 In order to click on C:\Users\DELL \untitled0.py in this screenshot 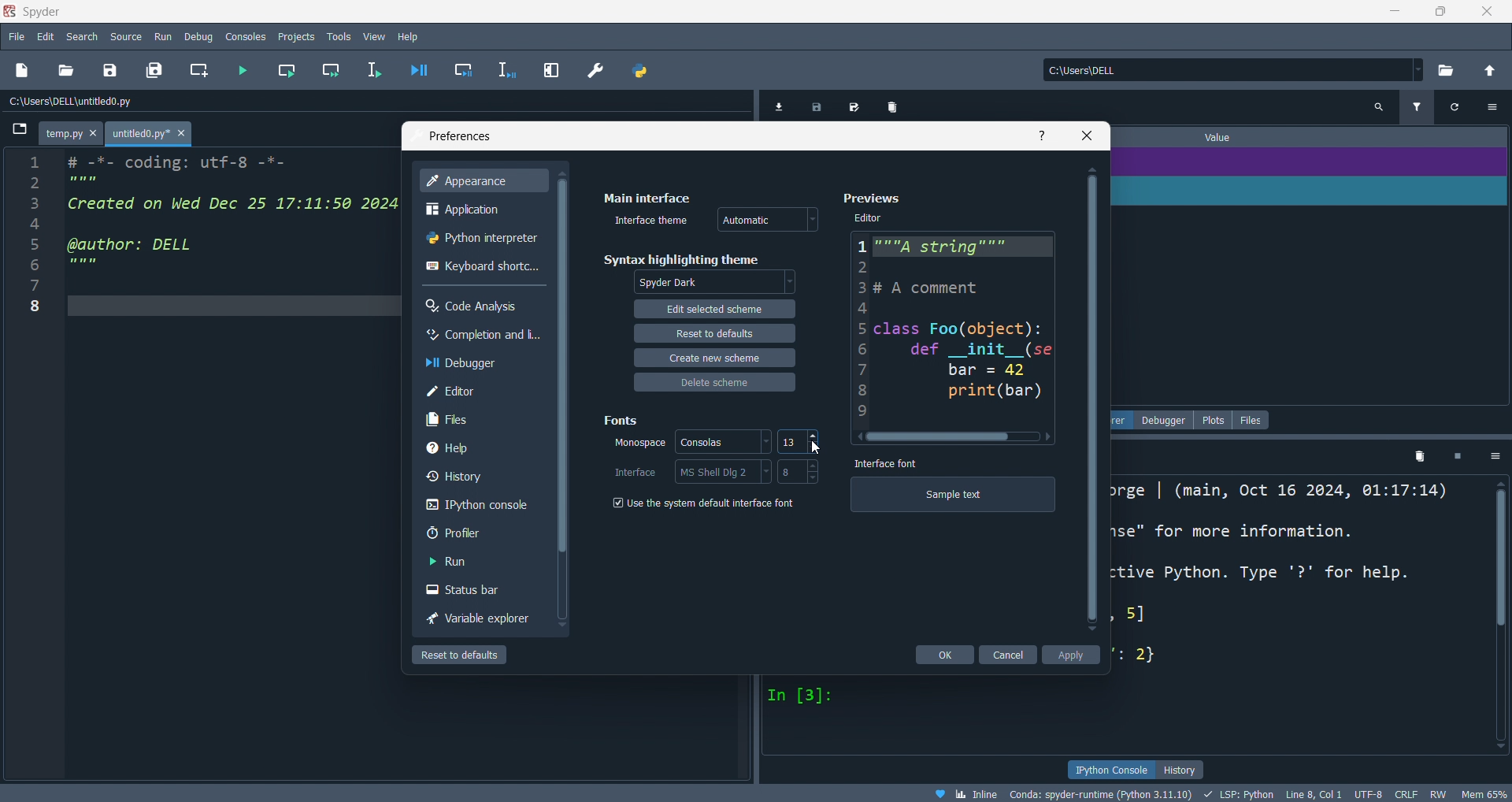, I will do `click(106, 103)`.